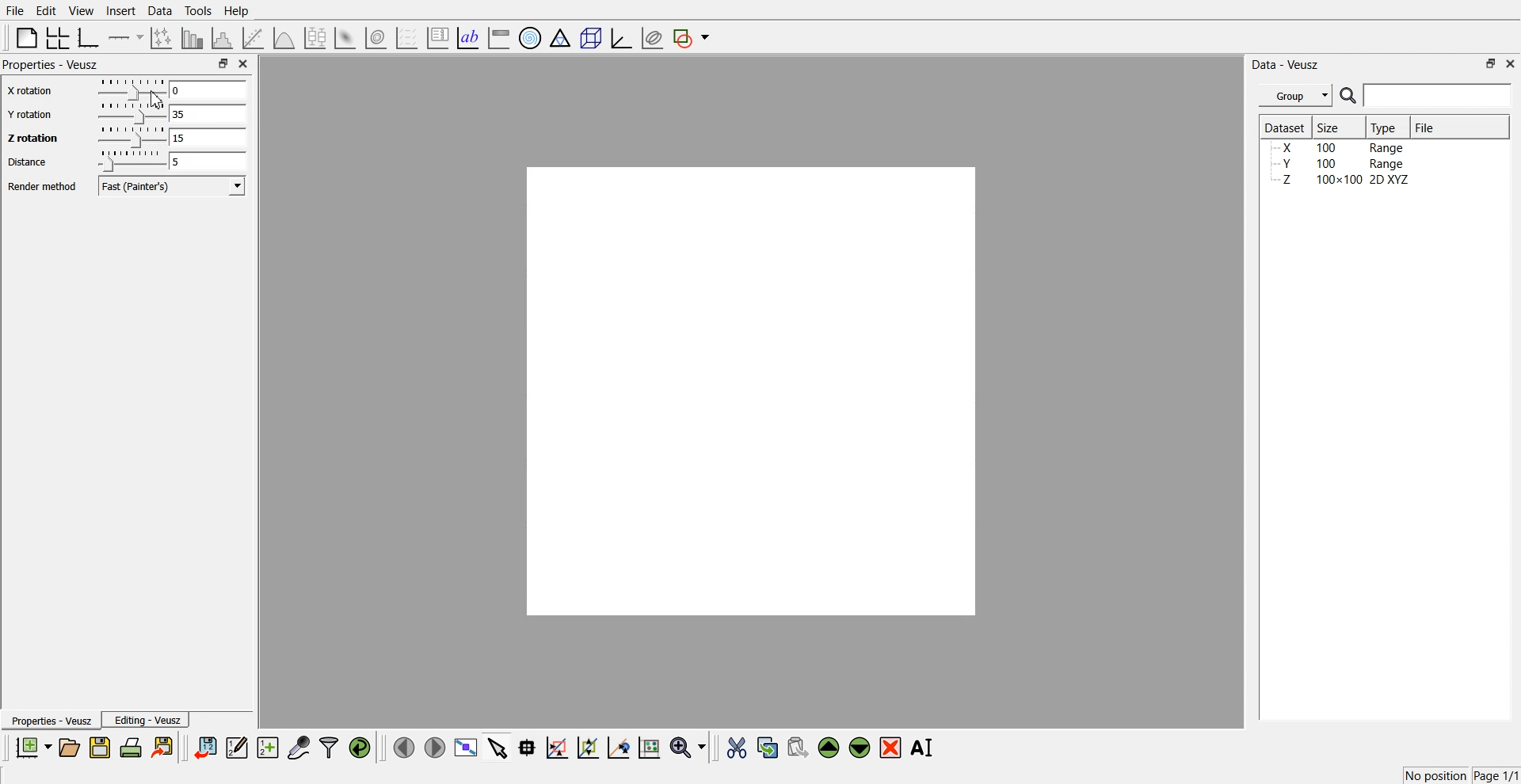 The image size is (1521, 784). Describe the element at coordinates (252, 38) in the screenshot. I see `Fit a function of data` at that location.